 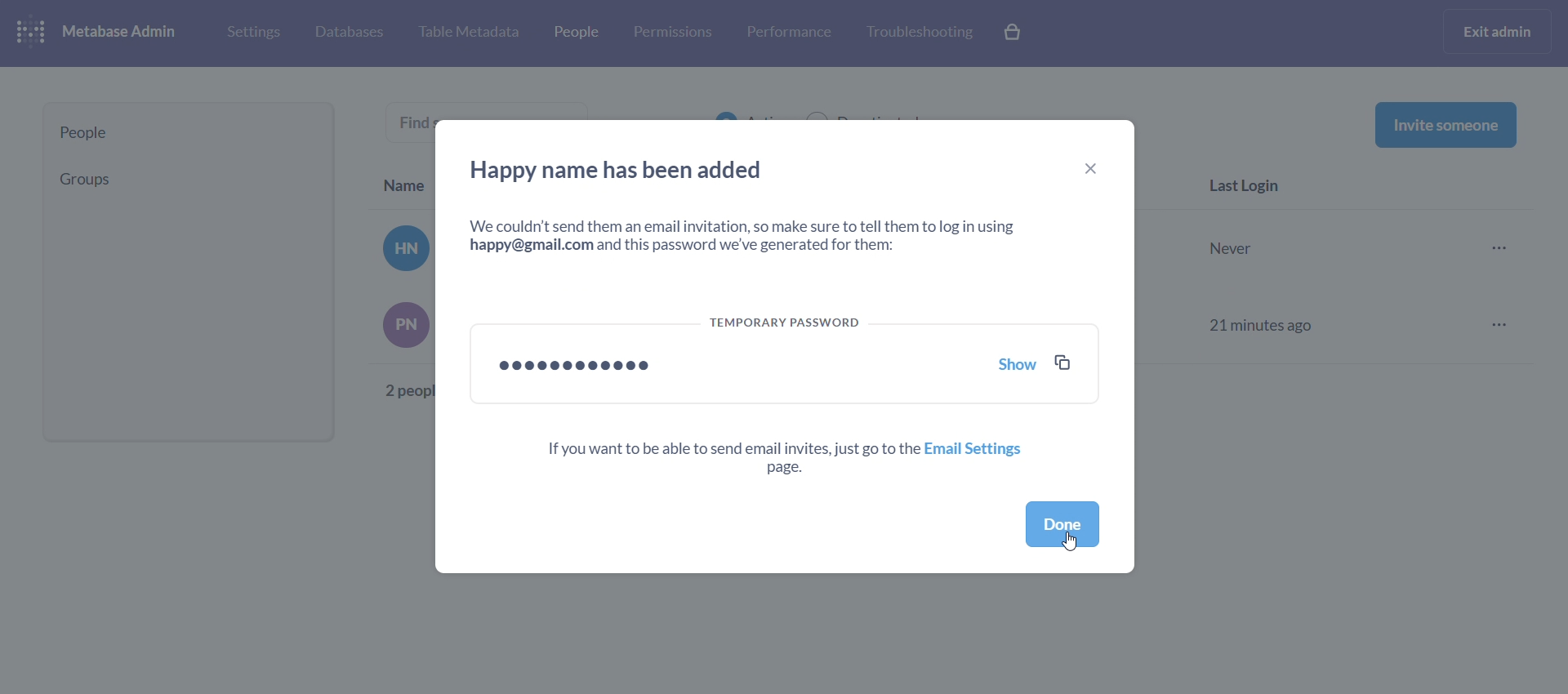 I want to click on exit admin, so click(x=1500, y=31).